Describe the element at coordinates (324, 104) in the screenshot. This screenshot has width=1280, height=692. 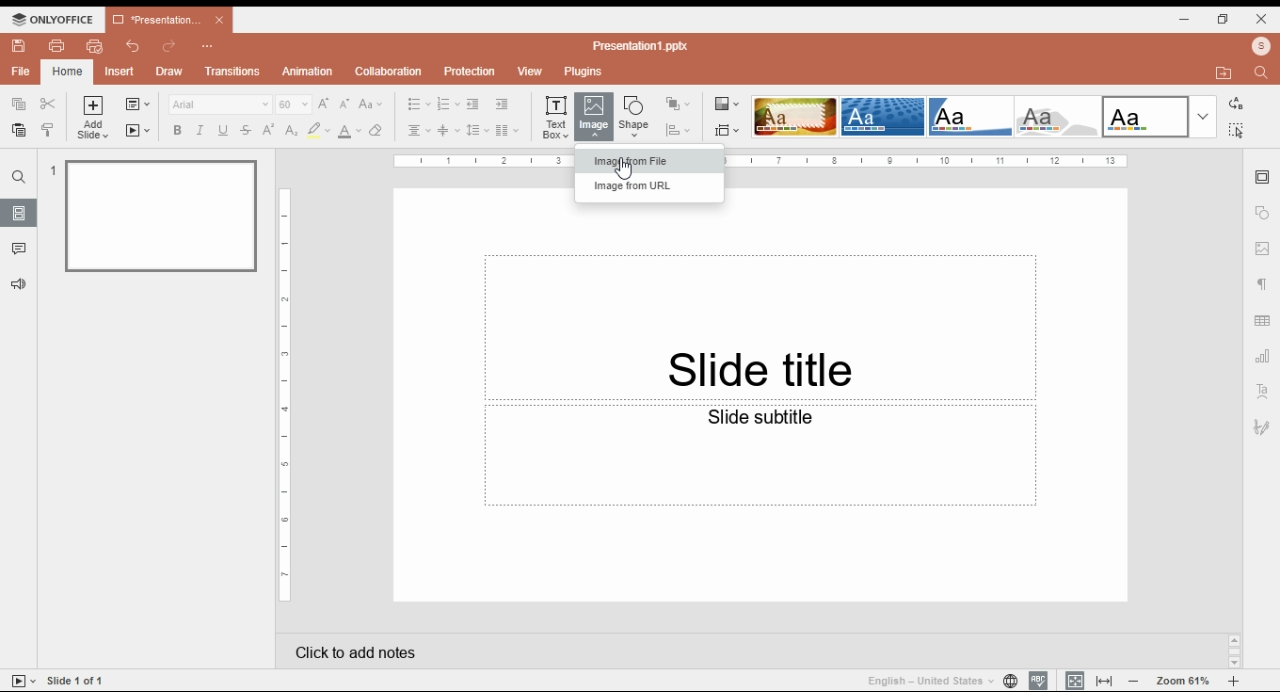
I see `increment font size` at that location.